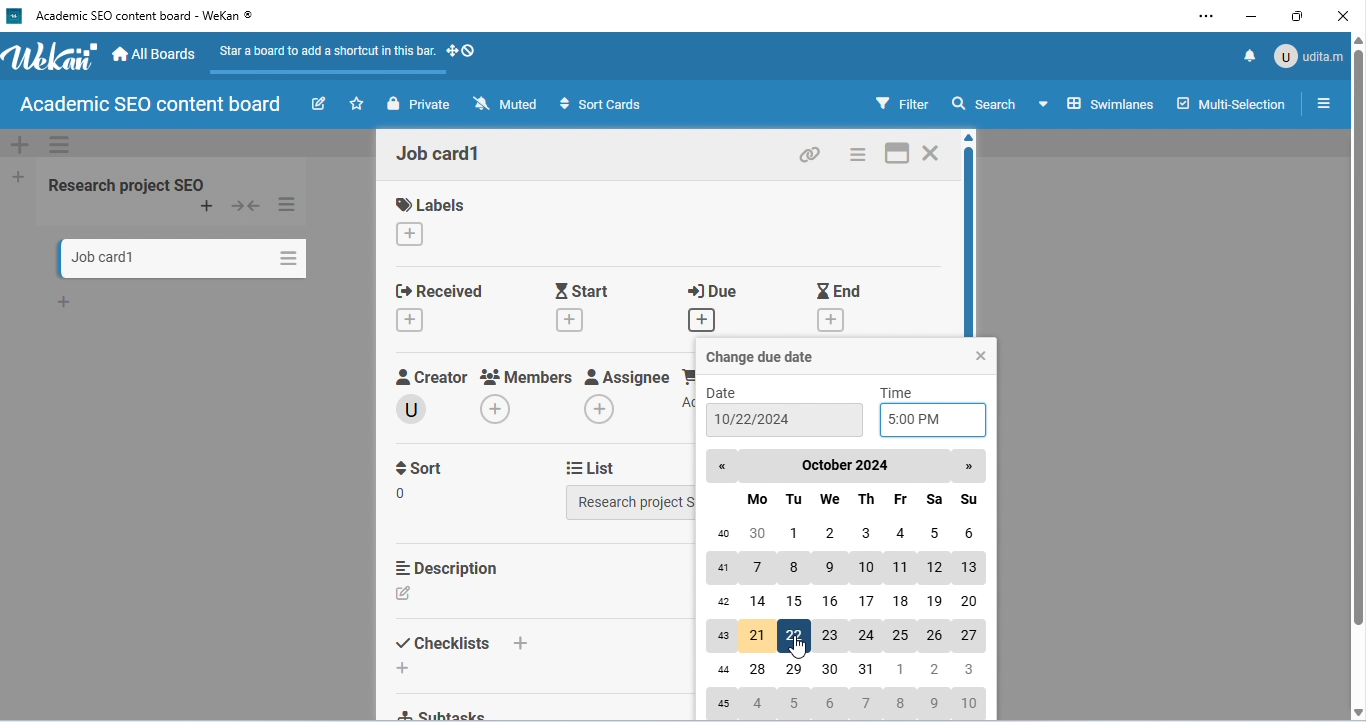 The image size is (1366, 722). I want to click on notification, so click(1252, 54).